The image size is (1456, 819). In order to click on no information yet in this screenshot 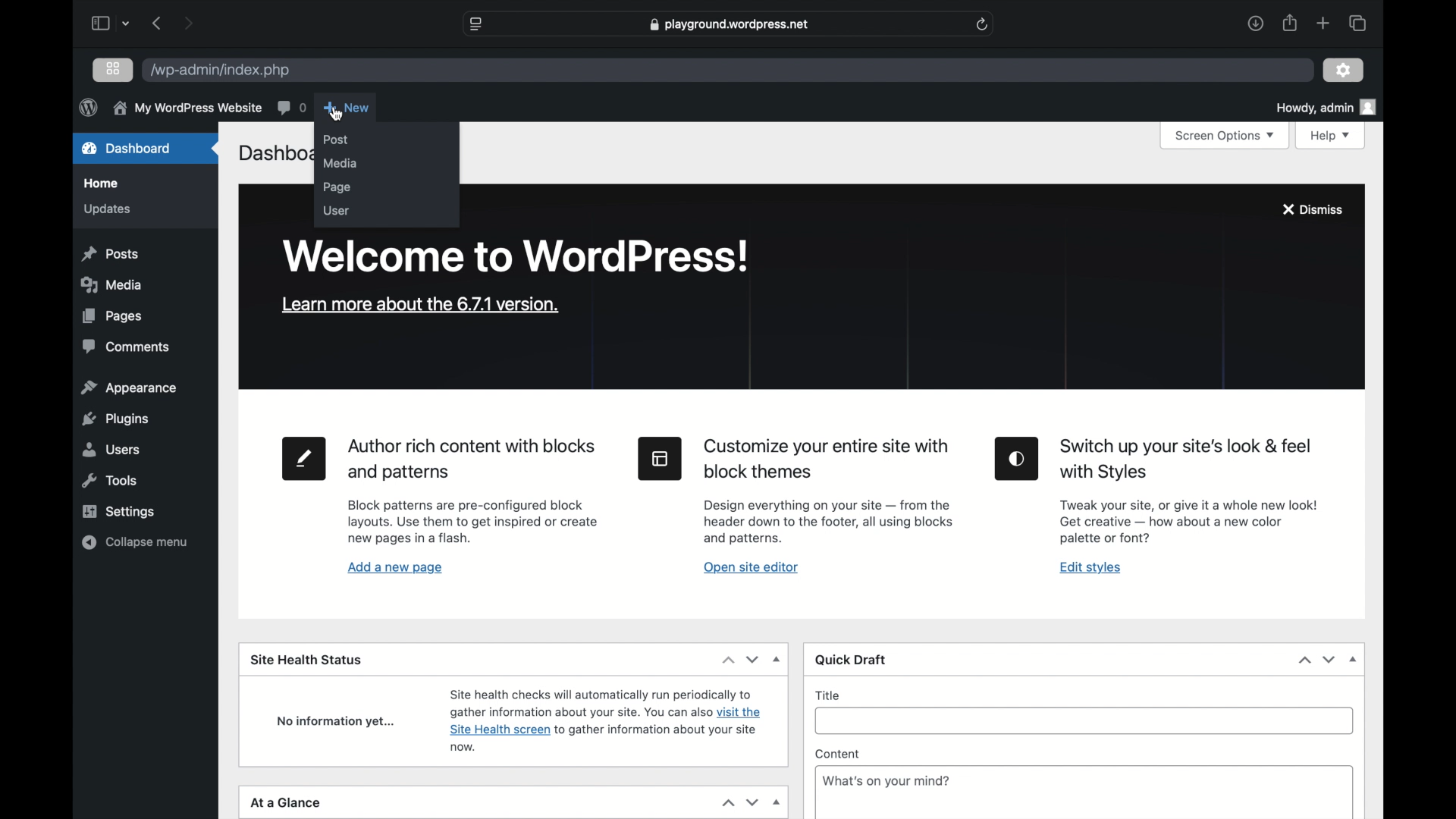, I will do `click(336, 722)`.